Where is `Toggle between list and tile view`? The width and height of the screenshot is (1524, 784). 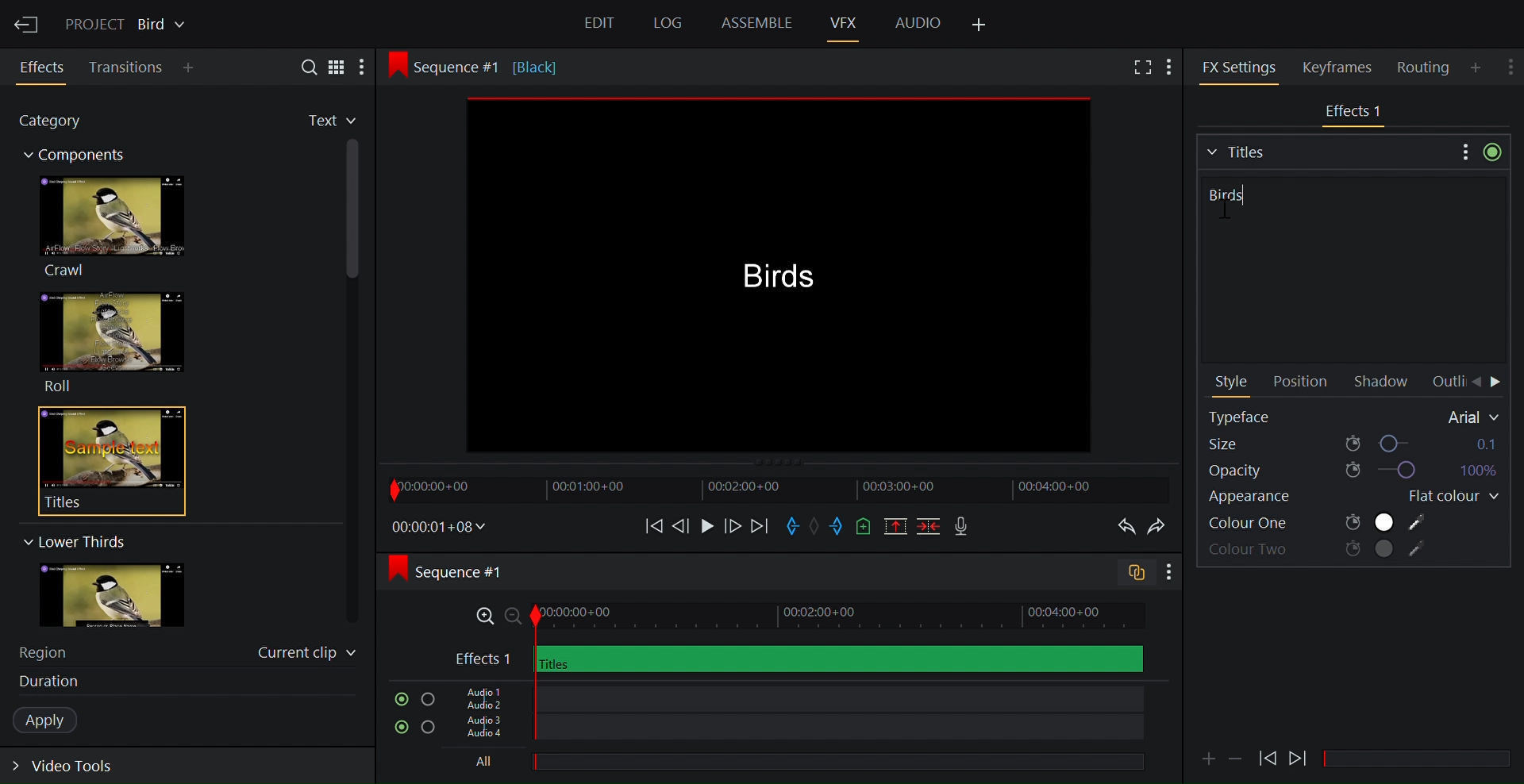 Toggle between list and tile view is located at coordinates (337, 66).